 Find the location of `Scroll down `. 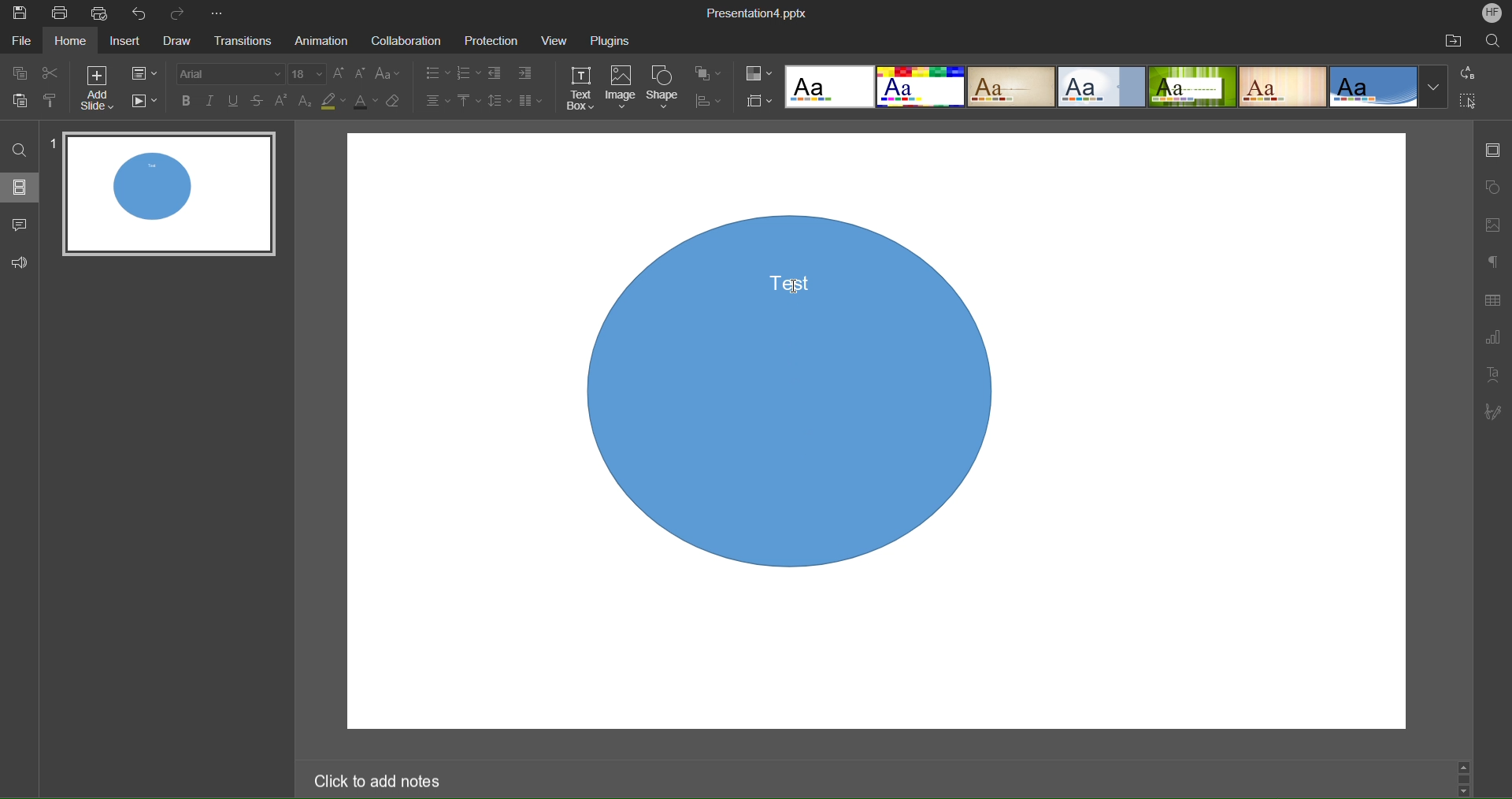

Scroll down  is located at coordinates (1466, 793).